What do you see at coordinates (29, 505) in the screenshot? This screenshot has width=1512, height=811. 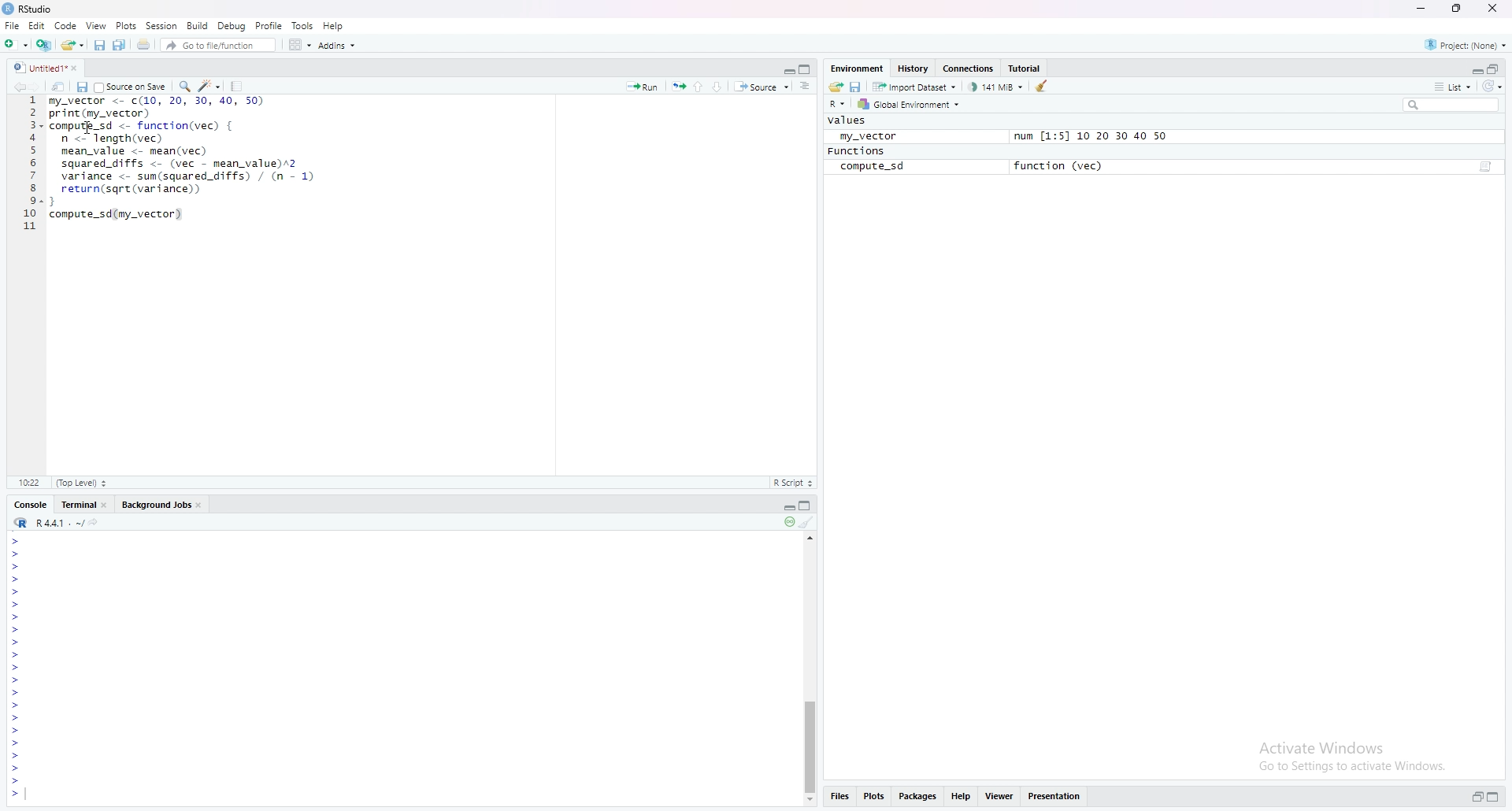 I see `Console` at bounding box center [29, 505].